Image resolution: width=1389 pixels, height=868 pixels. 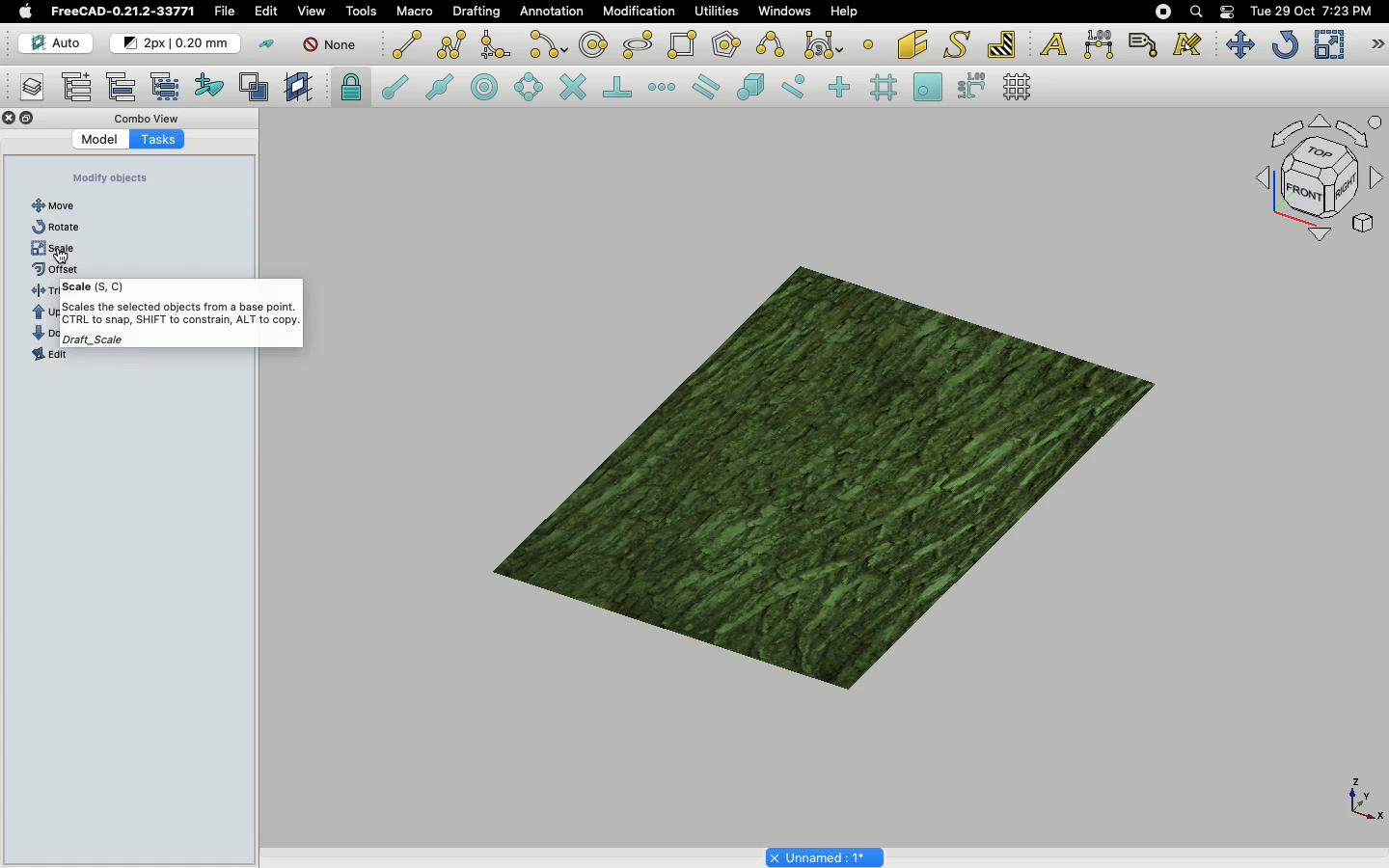 I want to click on Polyline, so click(x=451, y=44).